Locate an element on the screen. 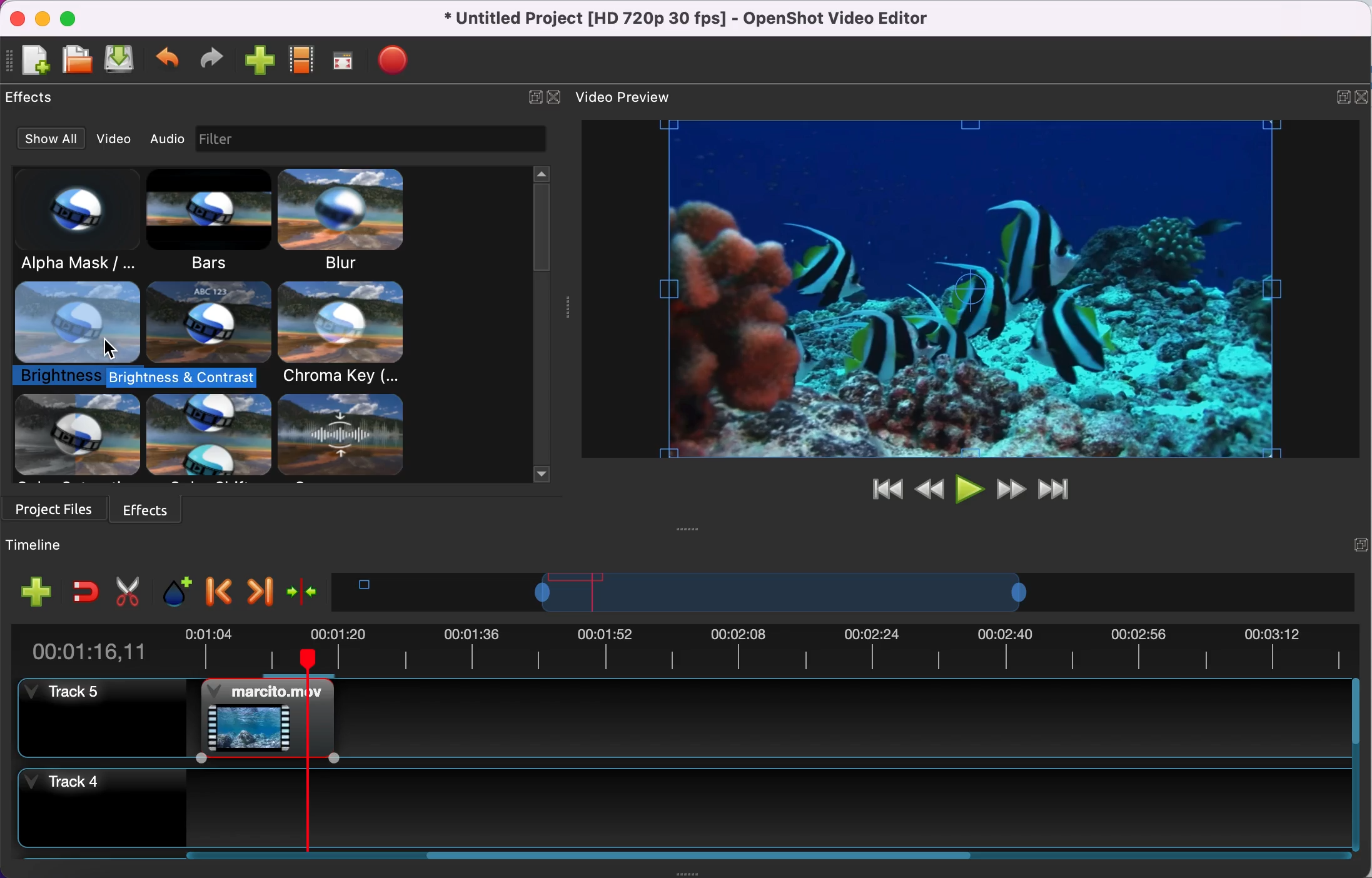 The image size is (1372, 878). review is located at coordinates (929, 487).